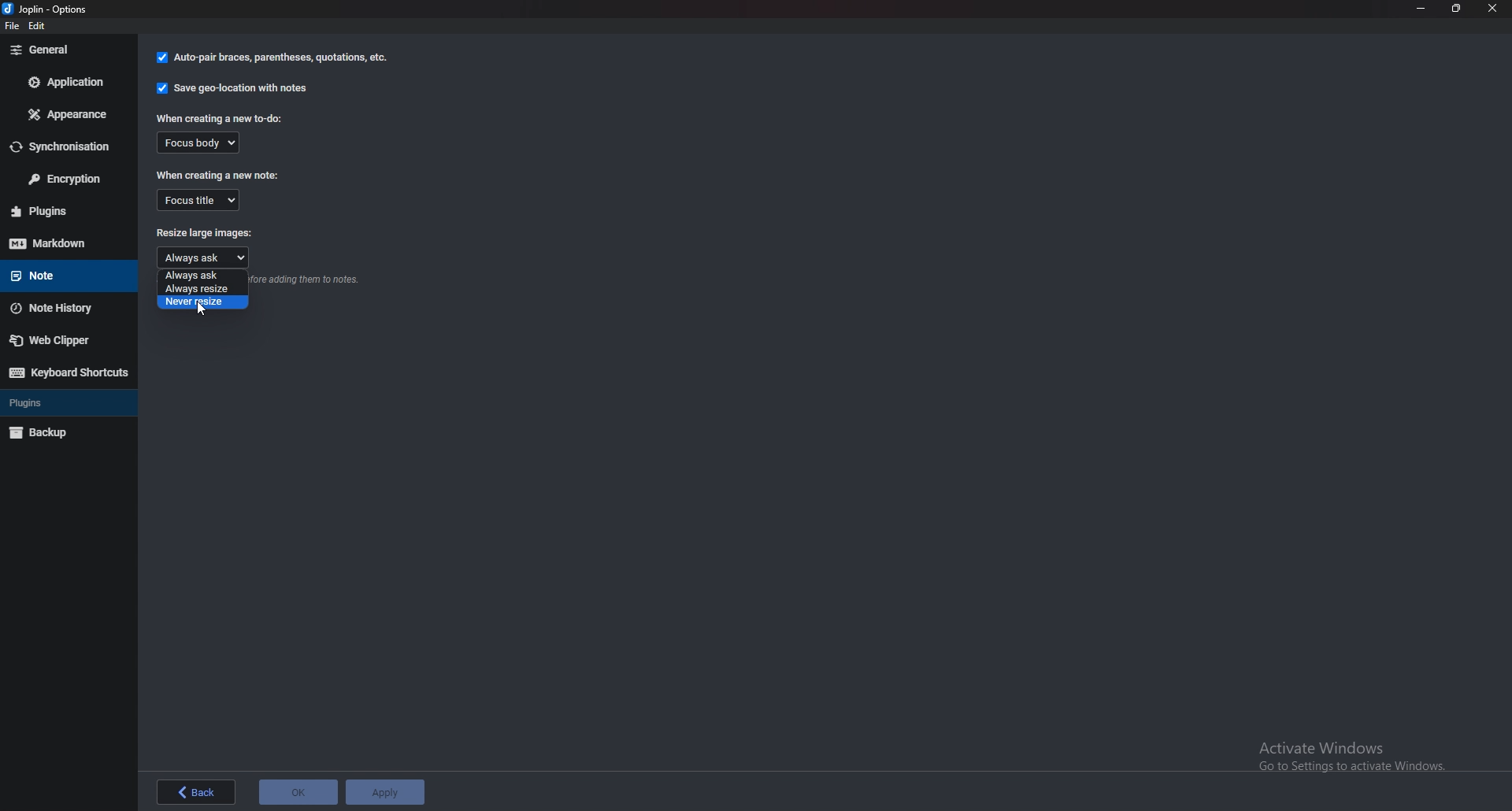 The width and height of the screenshot is (1512, 811). I want to click on Plugins, so click(57, 402).